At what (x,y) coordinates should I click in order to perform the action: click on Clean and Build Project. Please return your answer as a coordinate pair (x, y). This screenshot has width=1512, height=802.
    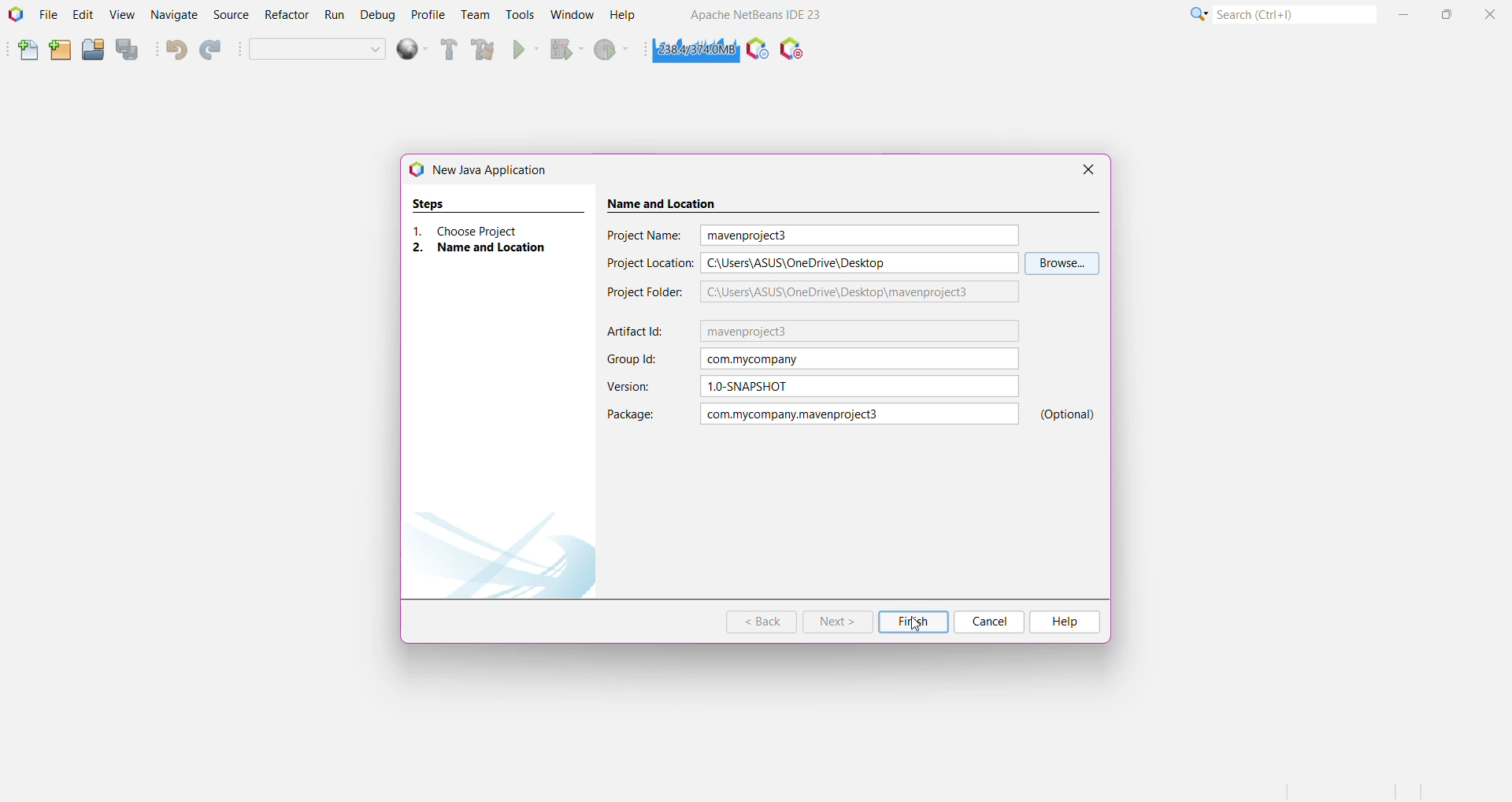
    Looking at the image, I should click on (483, 50).